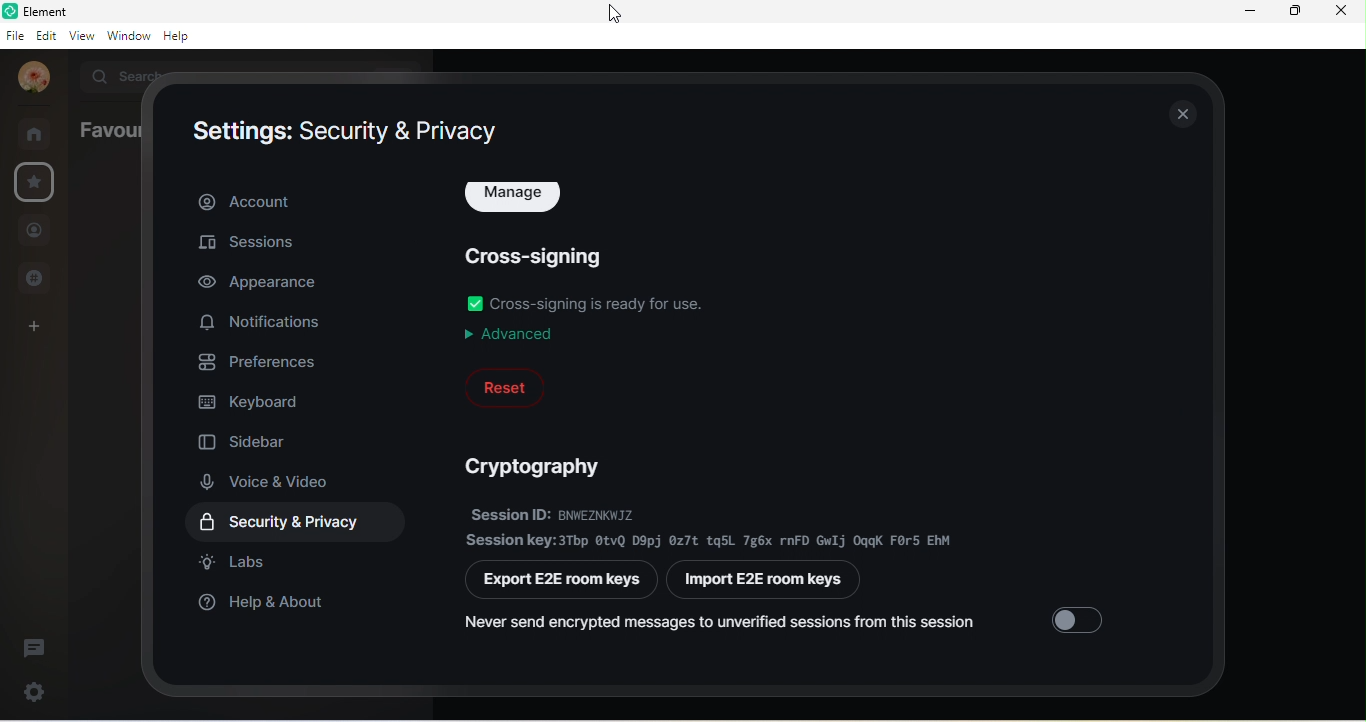 This screenshot has width=1366, height=722. Describe the element at coordinates (713, 528) in the screenshot. I see `Session ID: BNWEZNKWJZ
Session key: 3Tbp 0tvQ D9pj 0z7t tq5L 7g6x rnFD GwIj OqgK FOrS EnM` at that location.